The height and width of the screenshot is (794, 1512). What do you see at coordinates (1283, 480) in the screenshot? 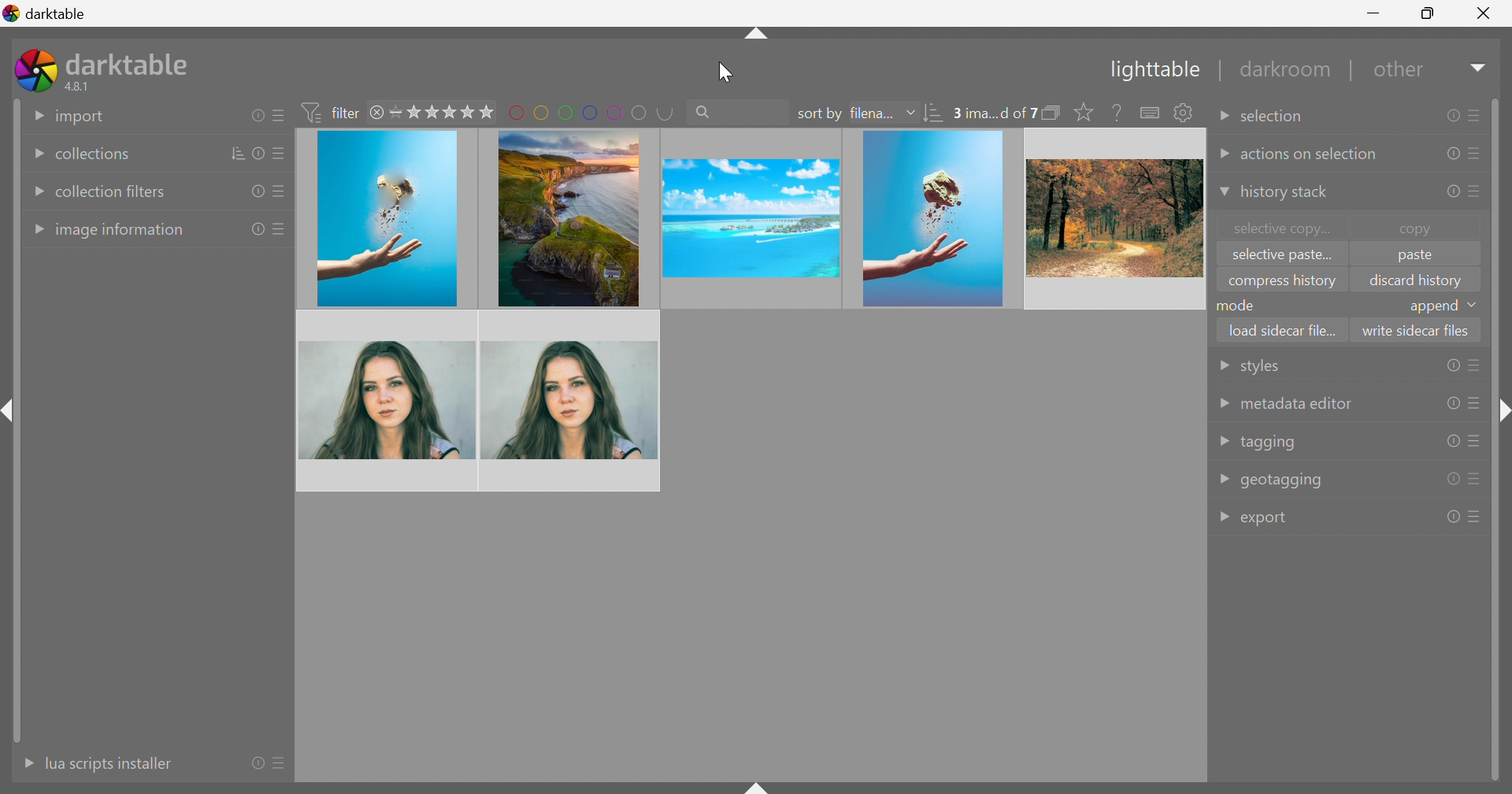
I see `geotagging` at bounding box center [1283, 480].